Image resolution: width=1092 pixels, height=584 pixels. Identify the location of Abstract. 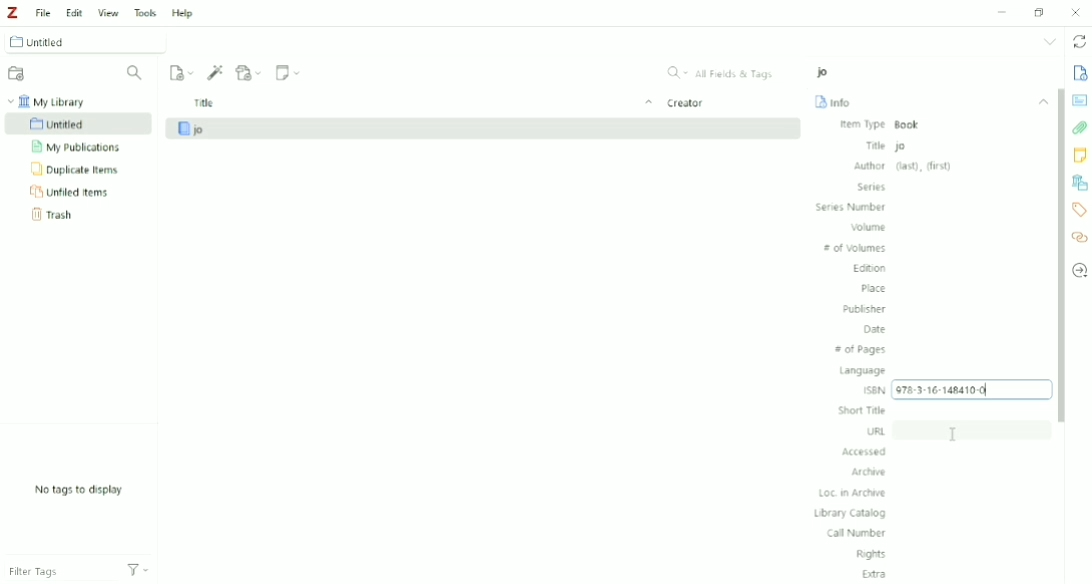
(1080, 99).